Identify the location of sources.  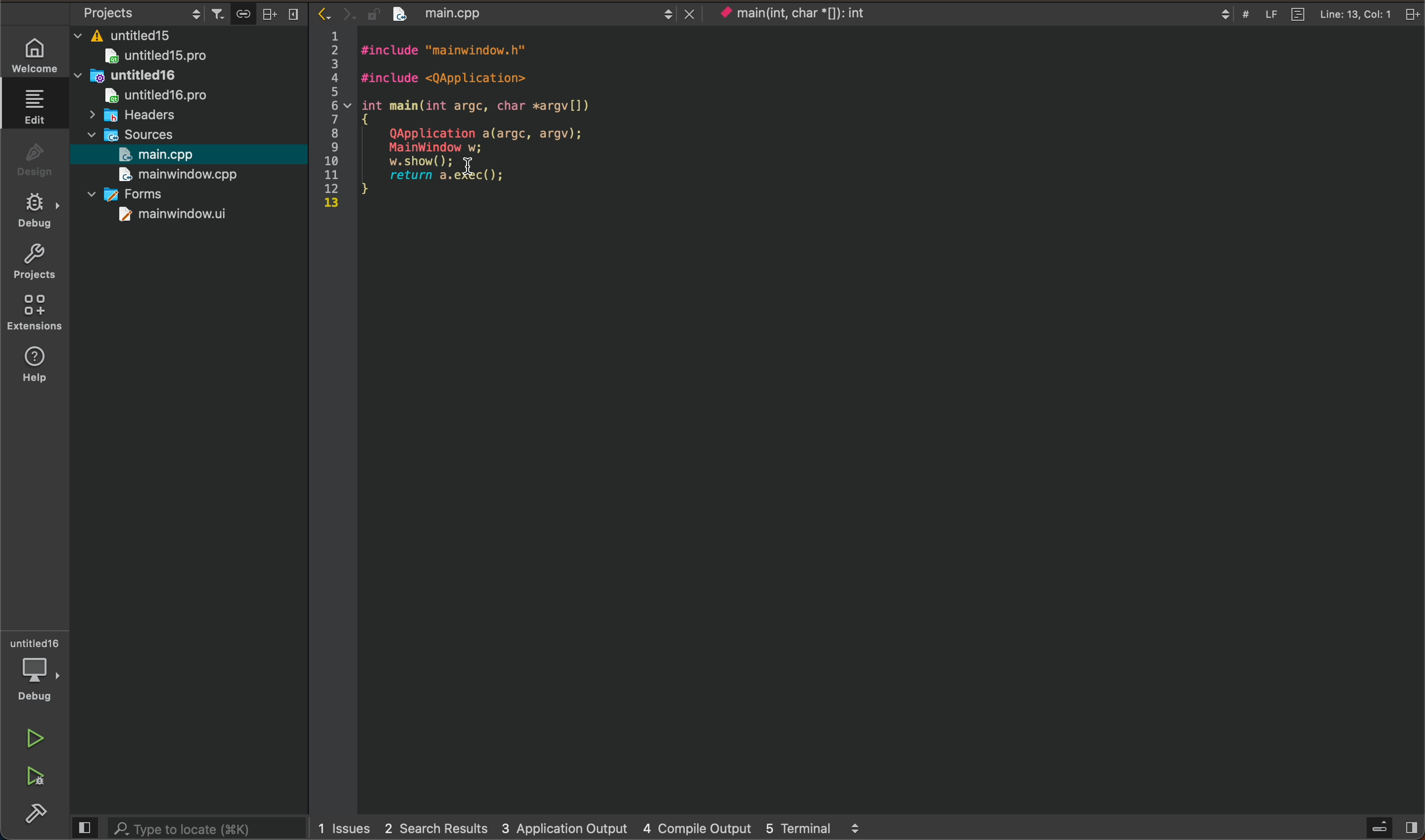
(140, 133).